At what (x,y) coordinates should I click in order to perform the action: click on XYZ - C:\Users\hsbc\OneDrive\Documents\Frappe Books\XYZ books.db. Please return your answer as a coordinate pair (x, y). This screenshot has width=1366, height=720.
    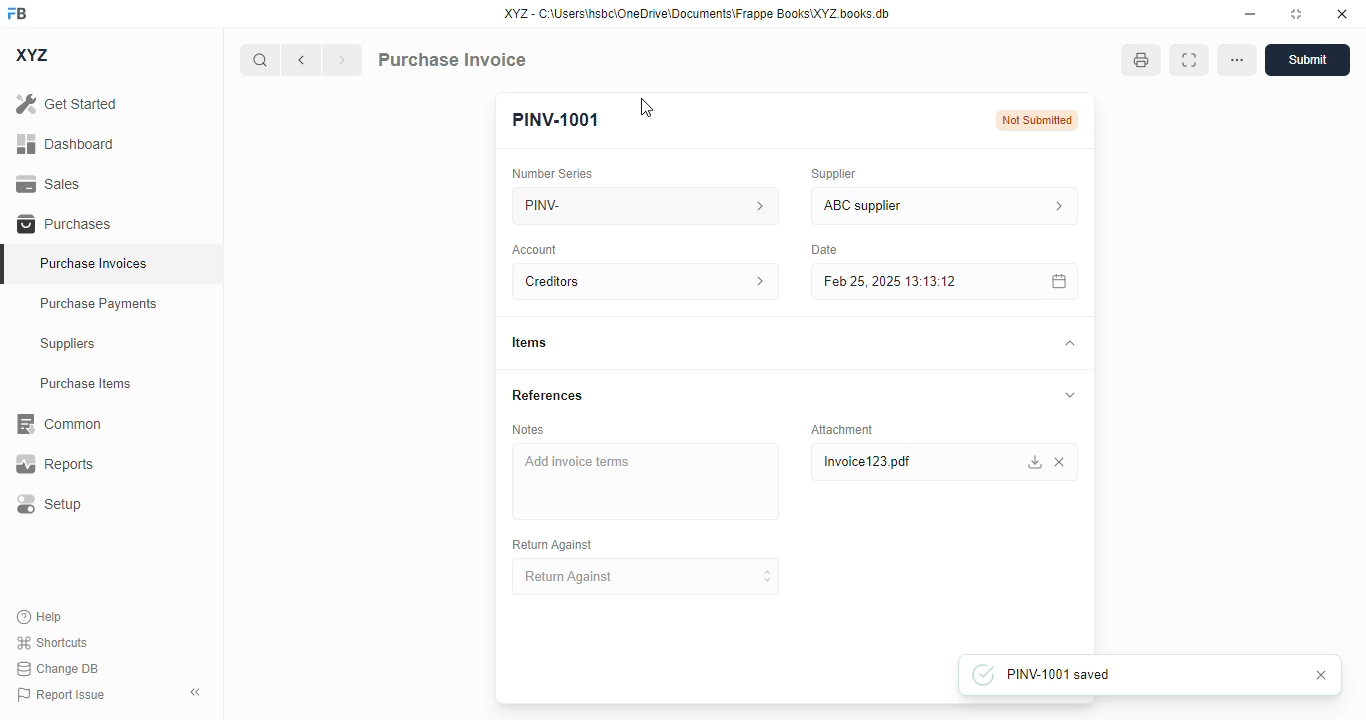
    Looking at the image, I should click on (697, 13).